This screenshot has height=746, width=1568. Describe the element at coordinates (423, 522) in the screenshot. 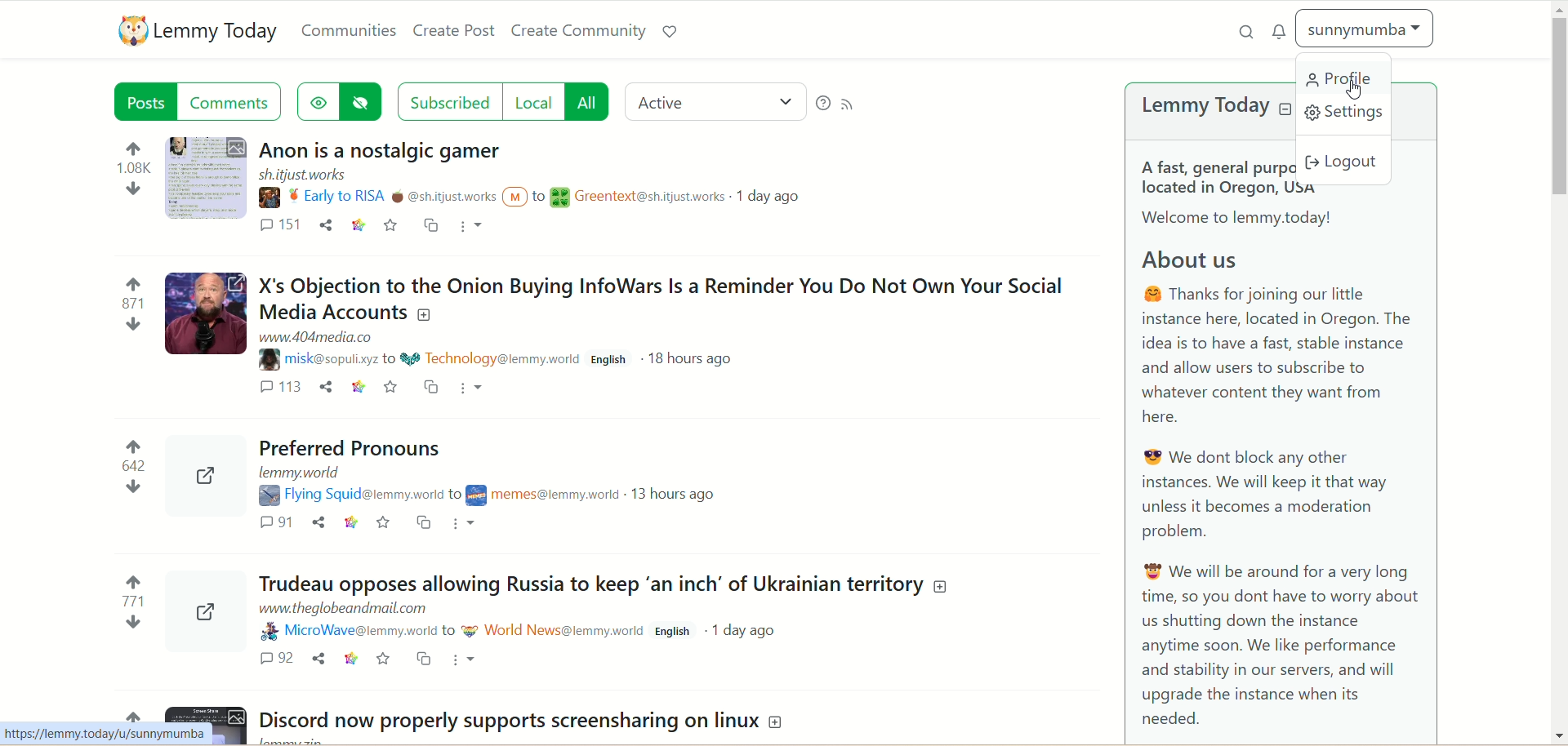

I see `Cross post` at that location.